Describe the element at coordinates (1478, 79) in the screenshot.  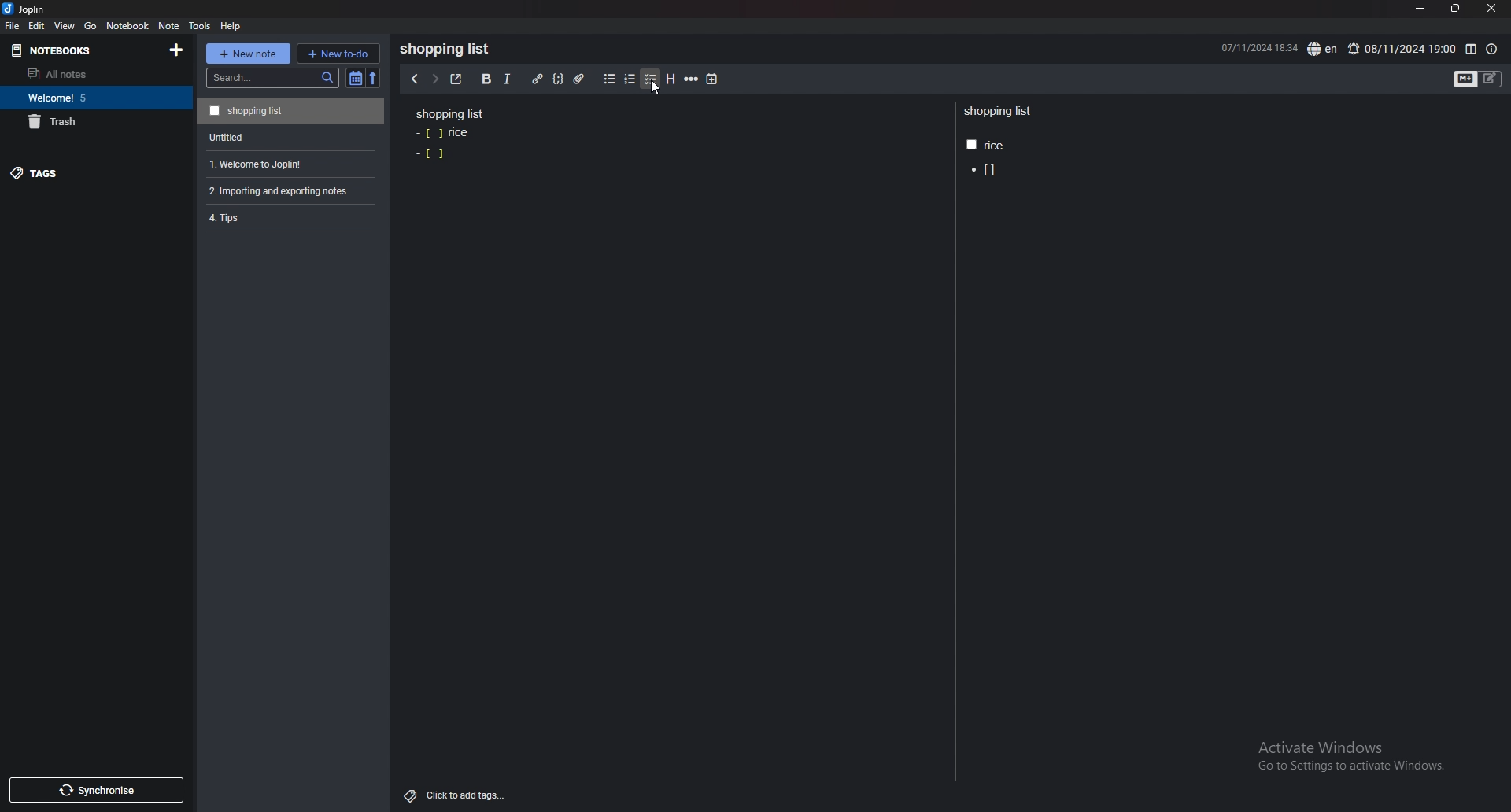
I see `toggle editors` at that location.